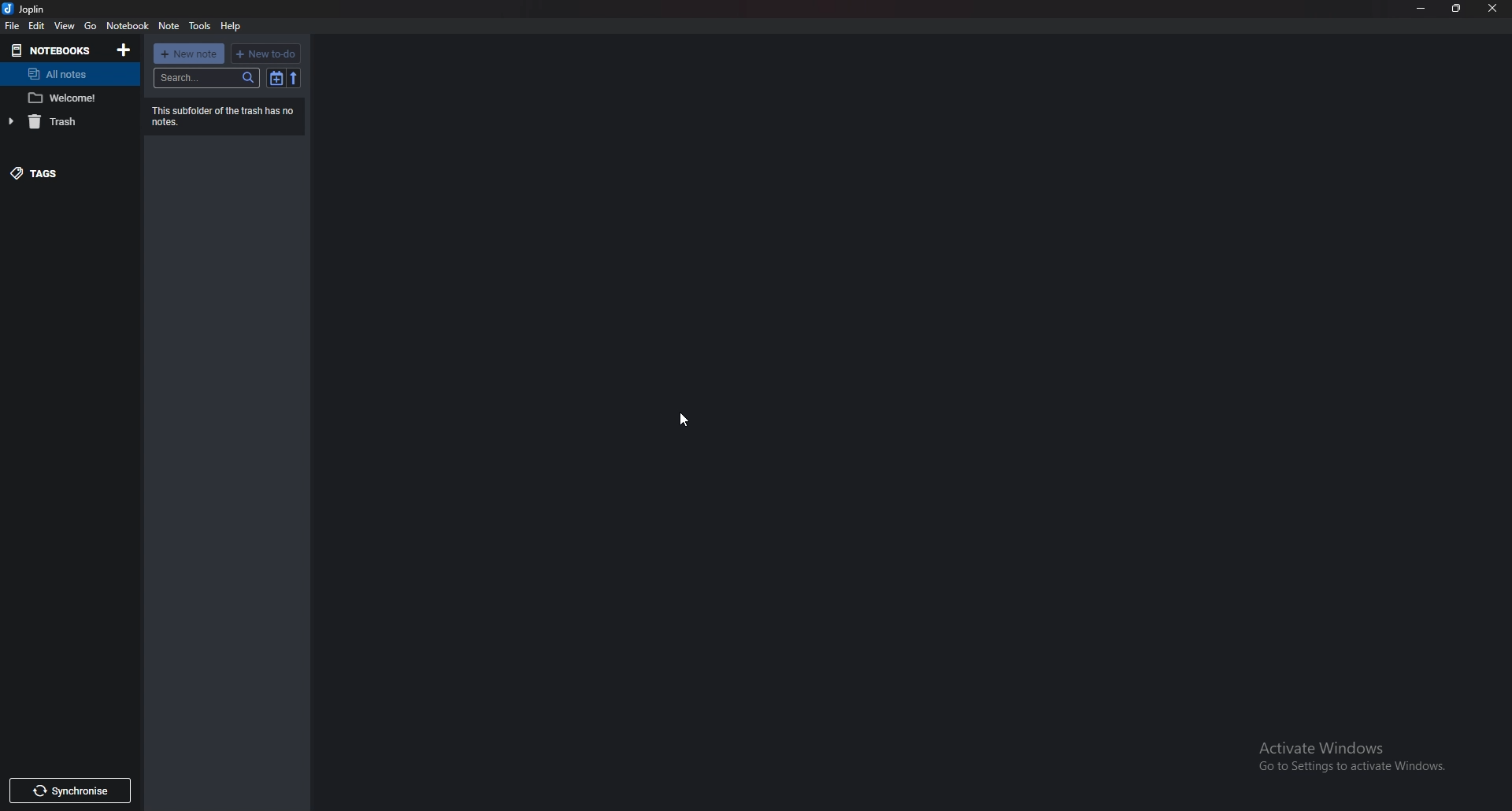  What do you see at coordinates (25, 8) in the screenshot?
I see `joplin` at bounding box center [25, 8].